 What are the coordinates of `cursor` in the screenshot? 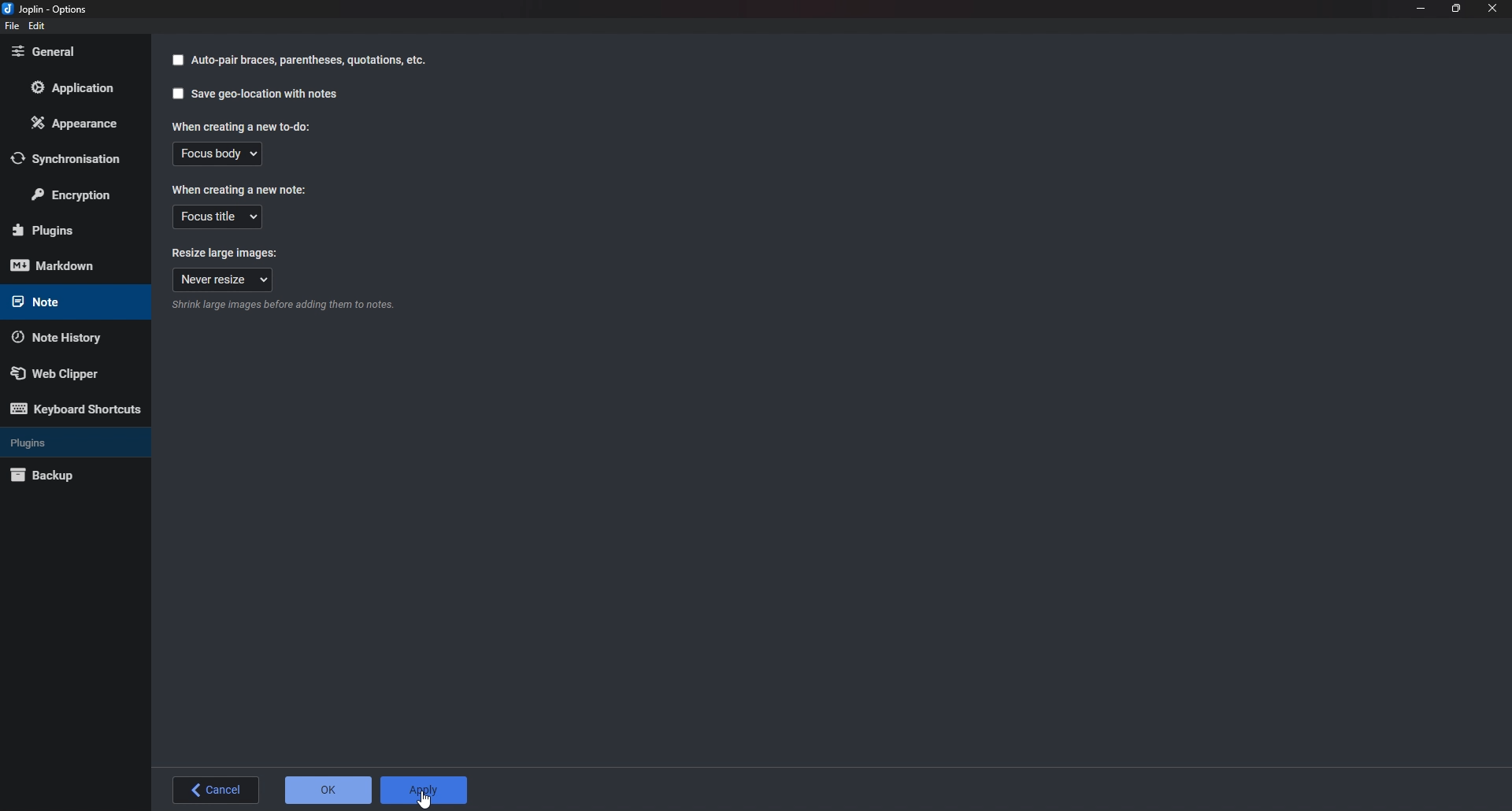 It's located at (422, 796).